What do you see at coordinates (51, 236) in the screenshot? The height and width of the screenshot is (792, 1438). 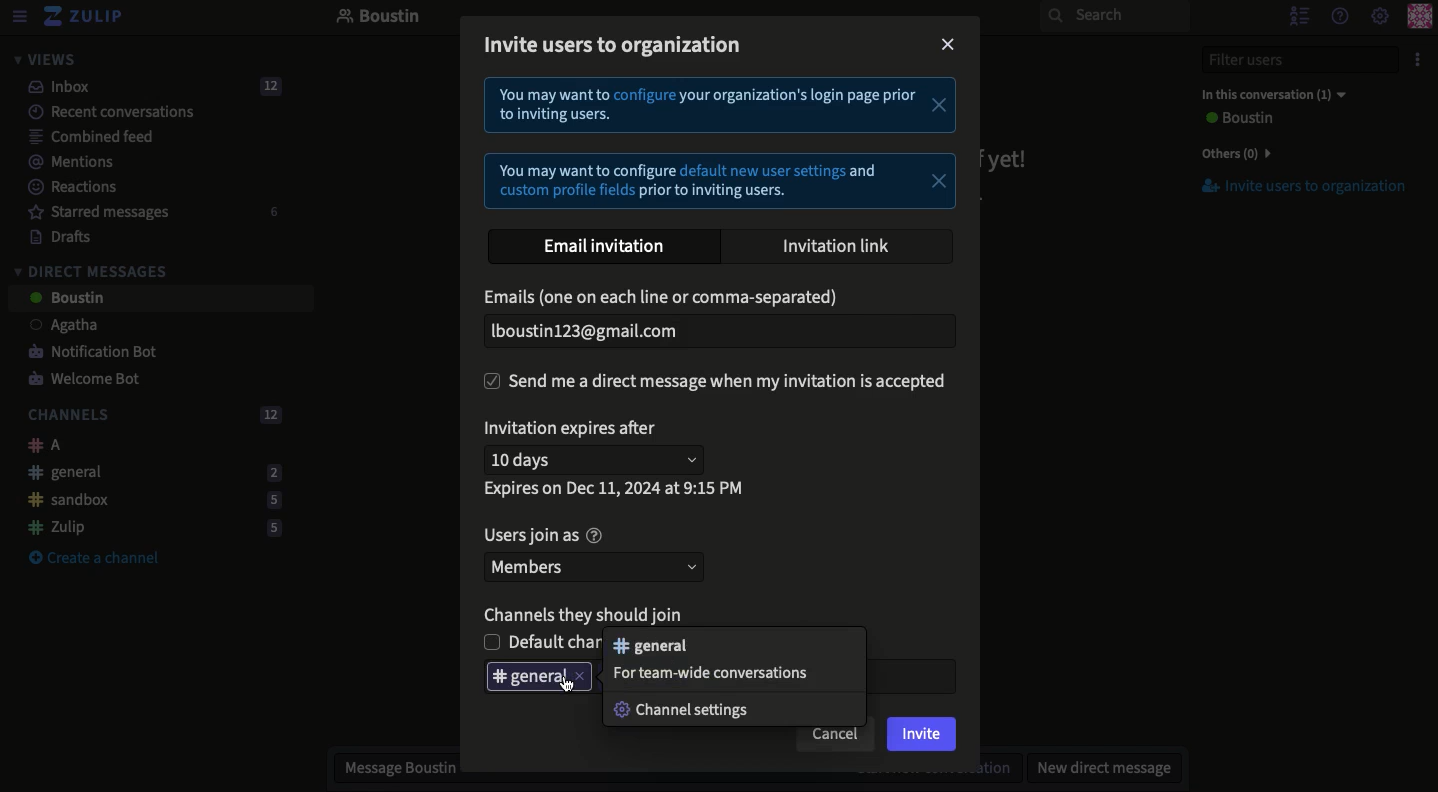 I see `Drafts` at bounding box center [51, 236].